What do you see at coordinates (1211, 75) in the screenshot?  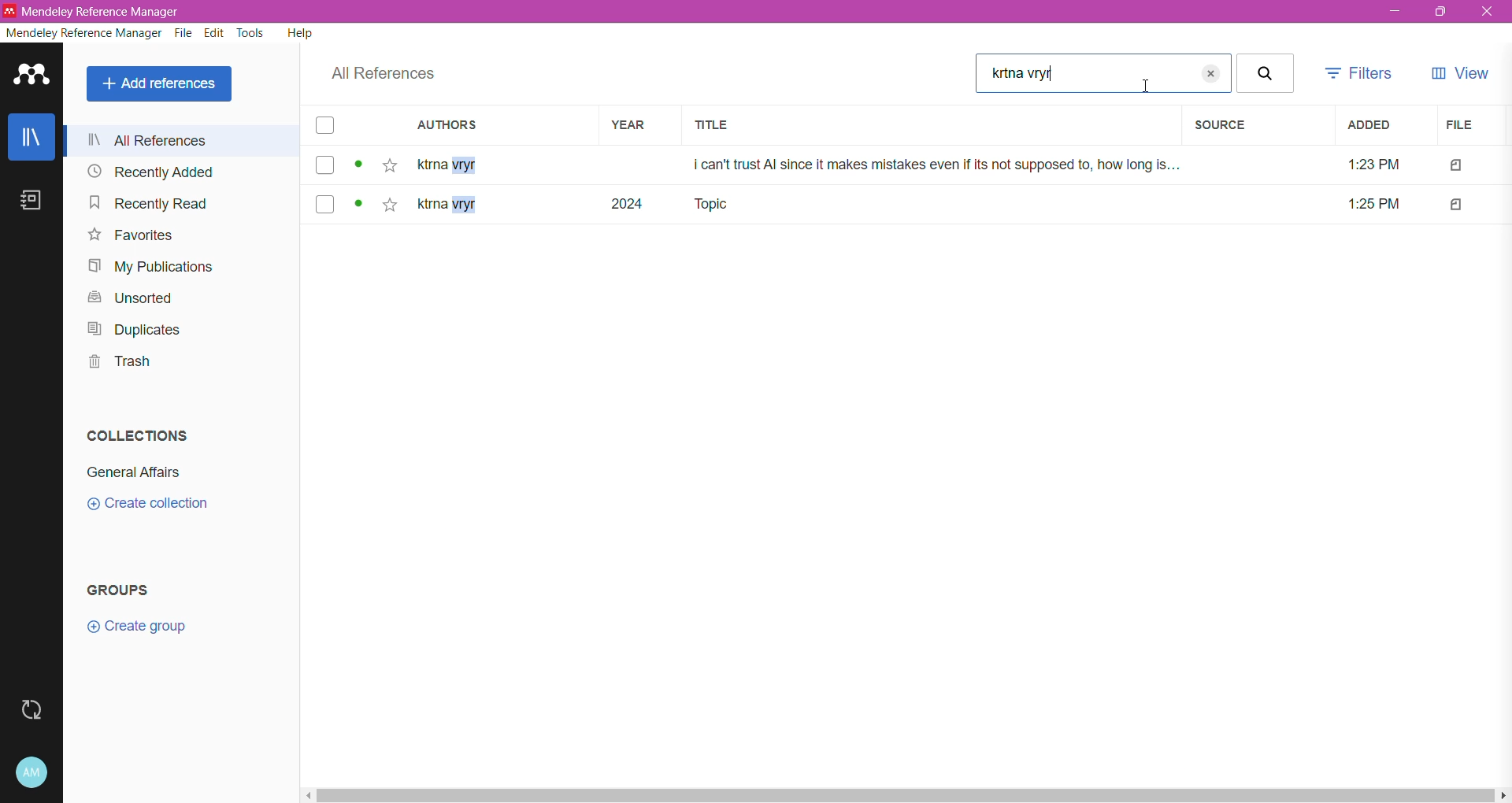 I see `close` at bounding box center [1211, 75].